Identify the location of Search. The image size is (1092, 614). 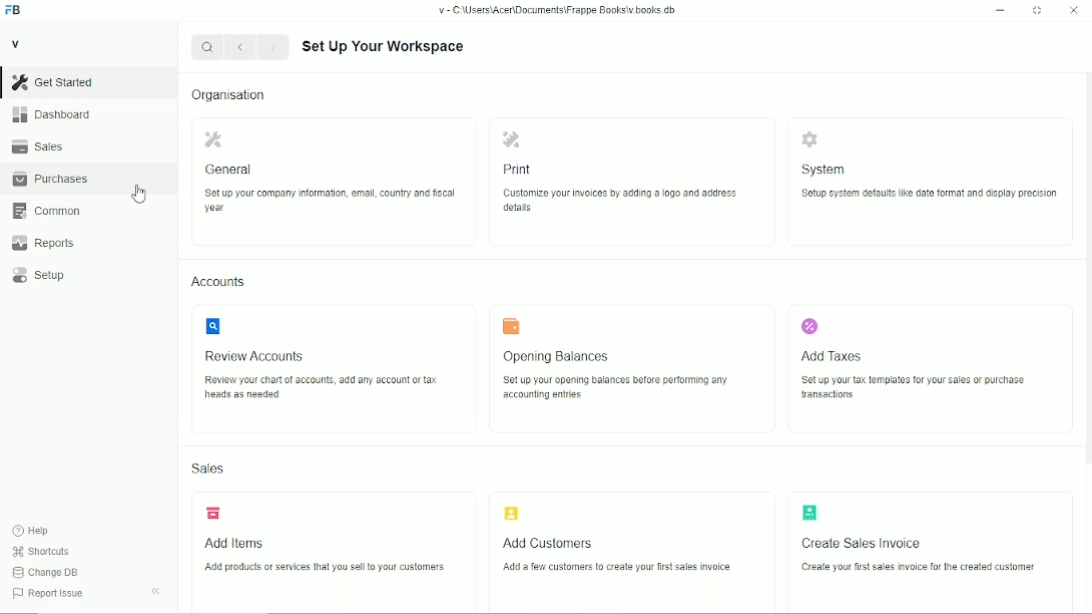
(207, 47).